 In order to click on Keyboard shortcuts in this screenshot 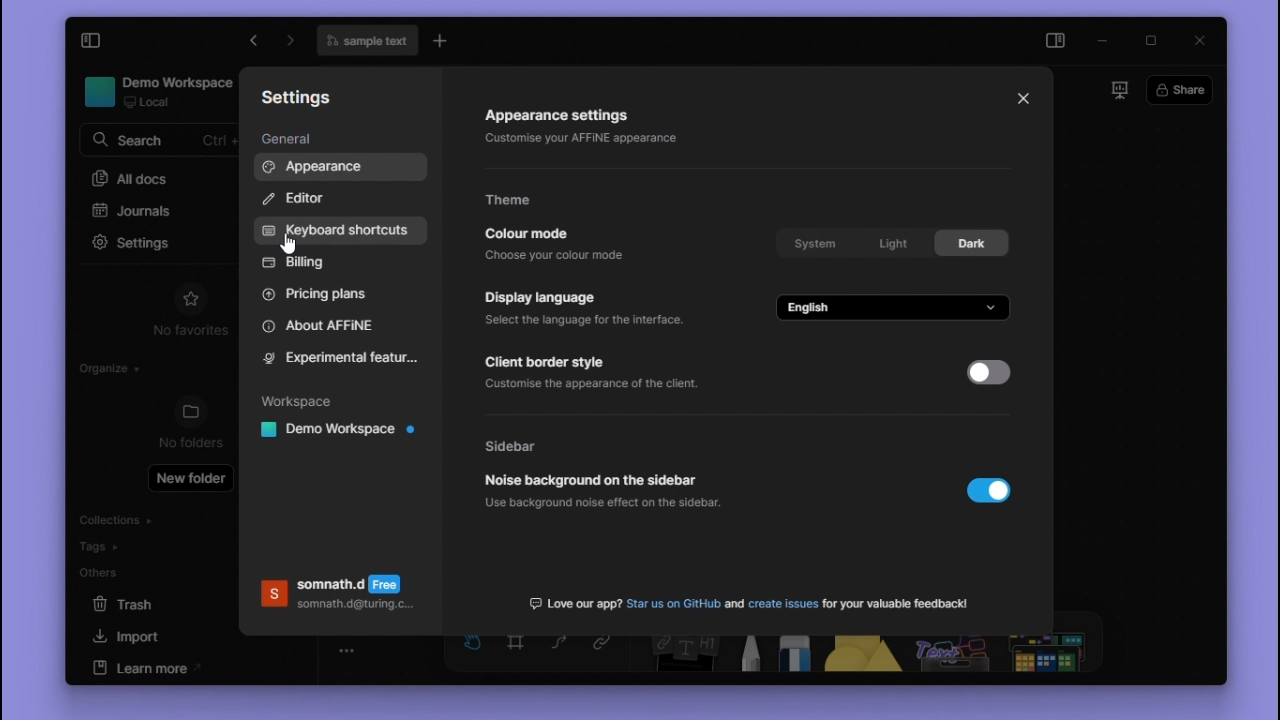, I will do `click(337, 233)`.